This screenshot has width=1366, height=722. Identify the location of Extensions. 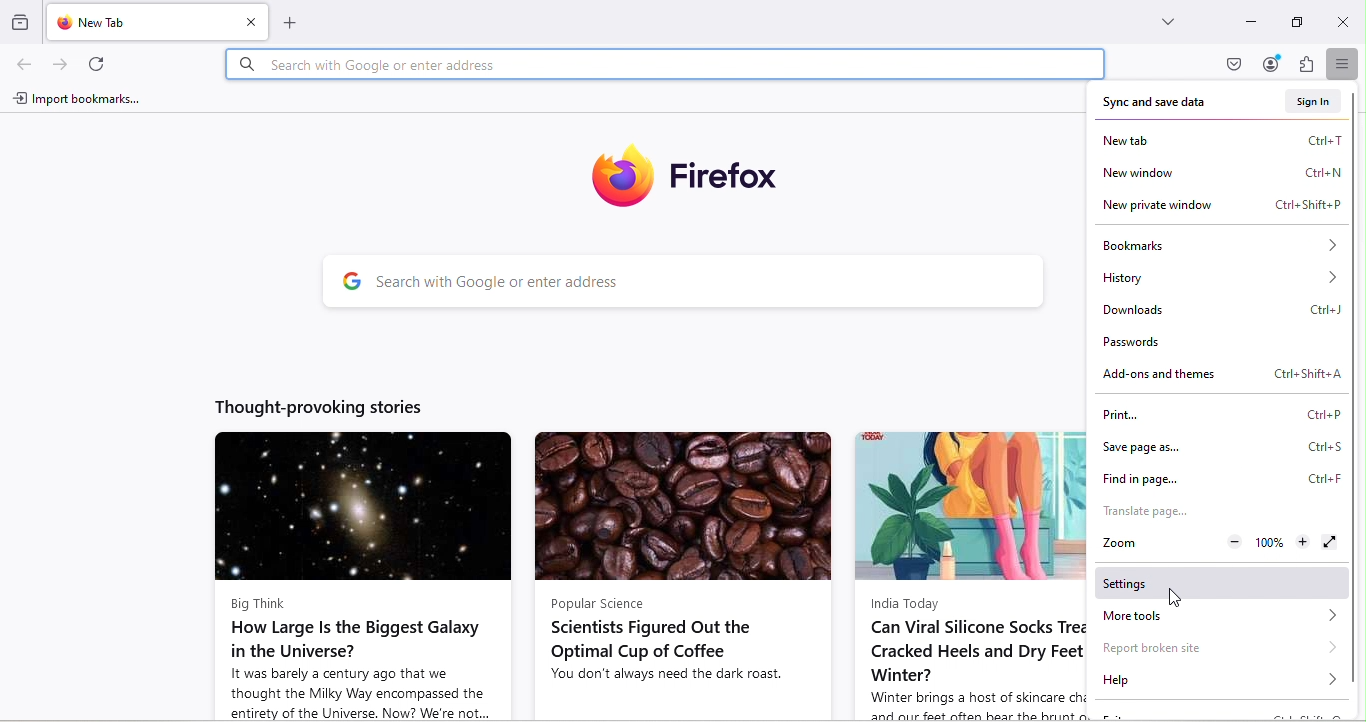
(1306, 66).